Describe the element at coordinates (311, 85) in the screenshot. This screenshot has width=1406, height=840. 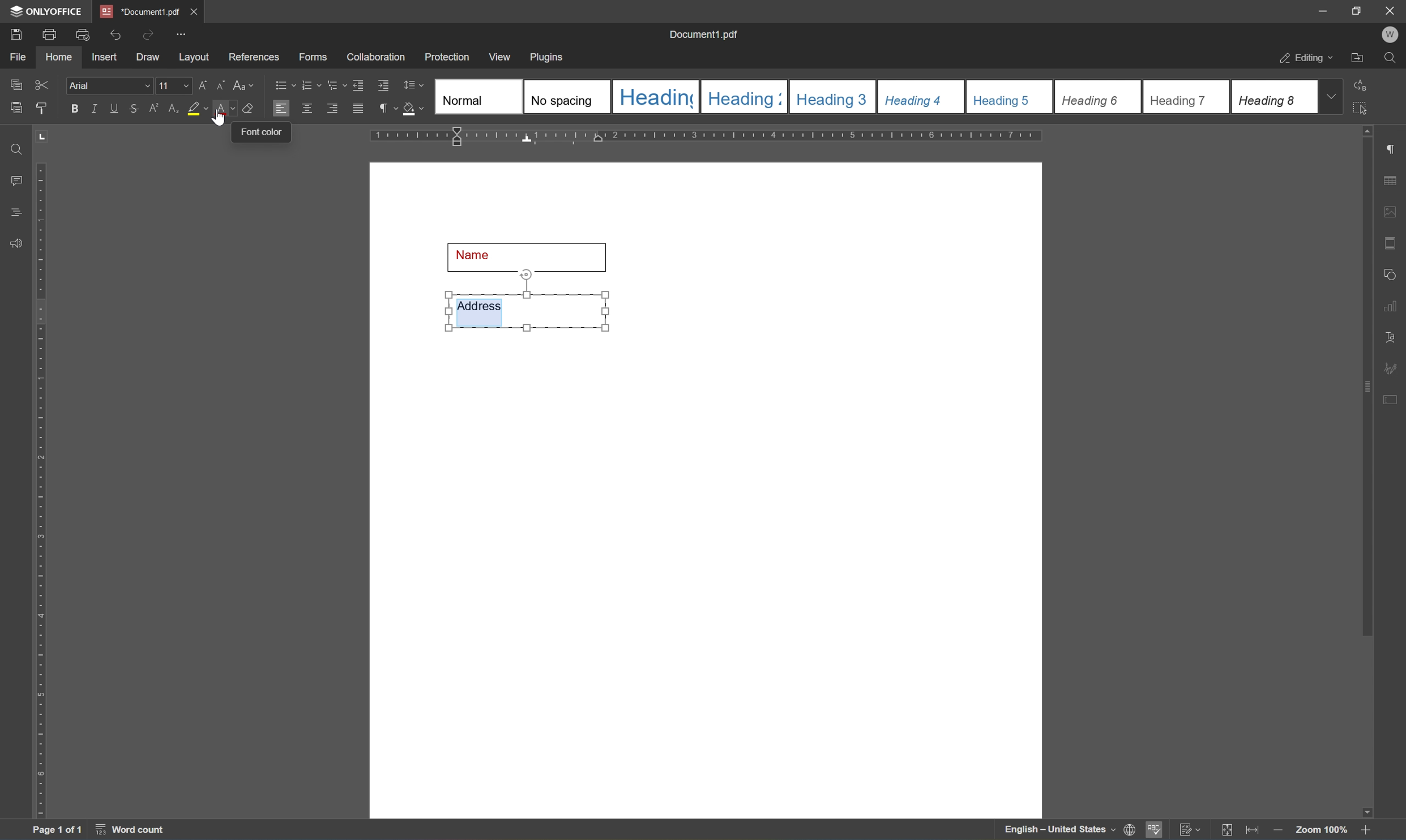
I see `numbering` at that location.